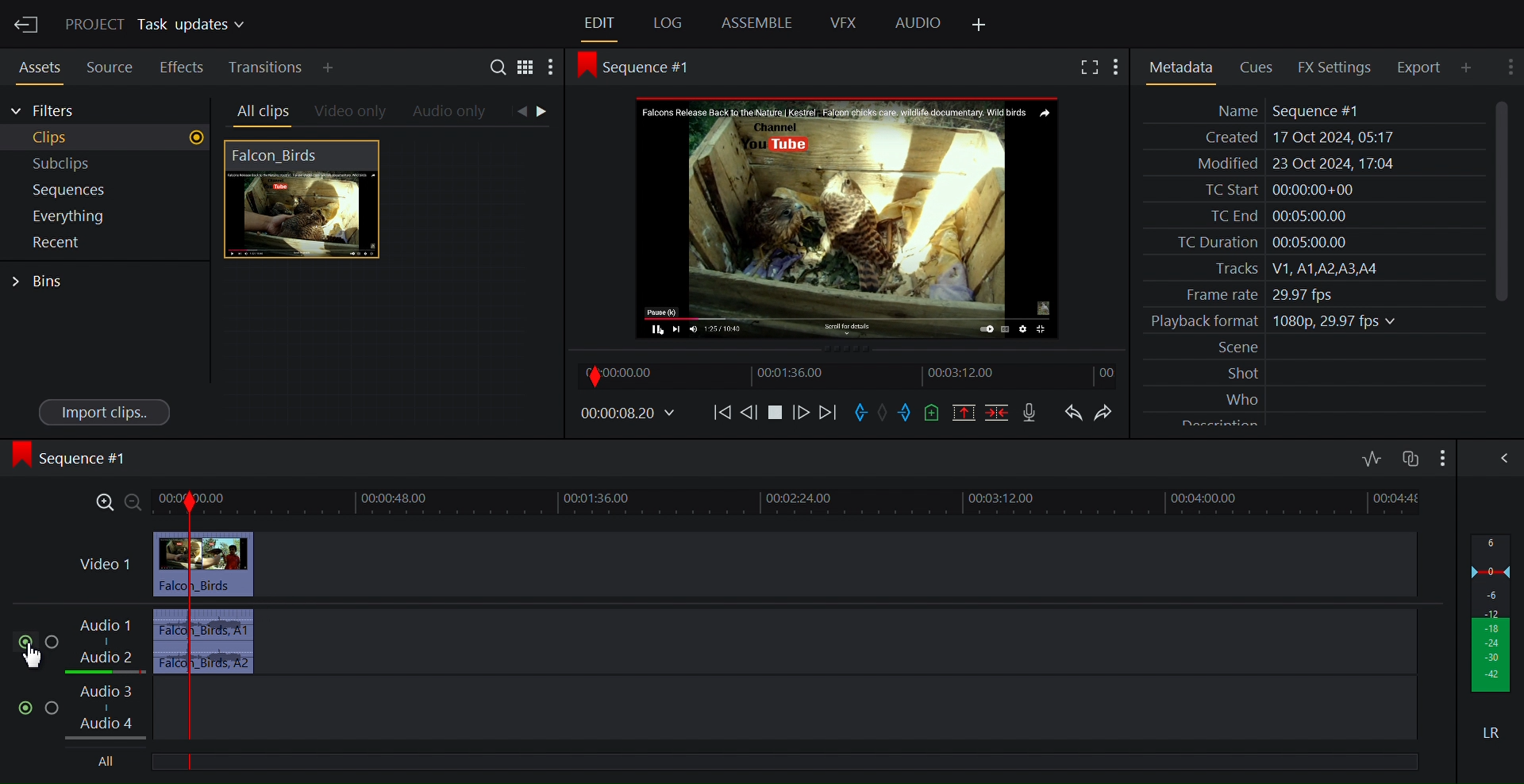 This screenshot has height=784, width=1524. Describe the element at coordinates (918, 24) in the screenshot. I see `Audio` at that location.